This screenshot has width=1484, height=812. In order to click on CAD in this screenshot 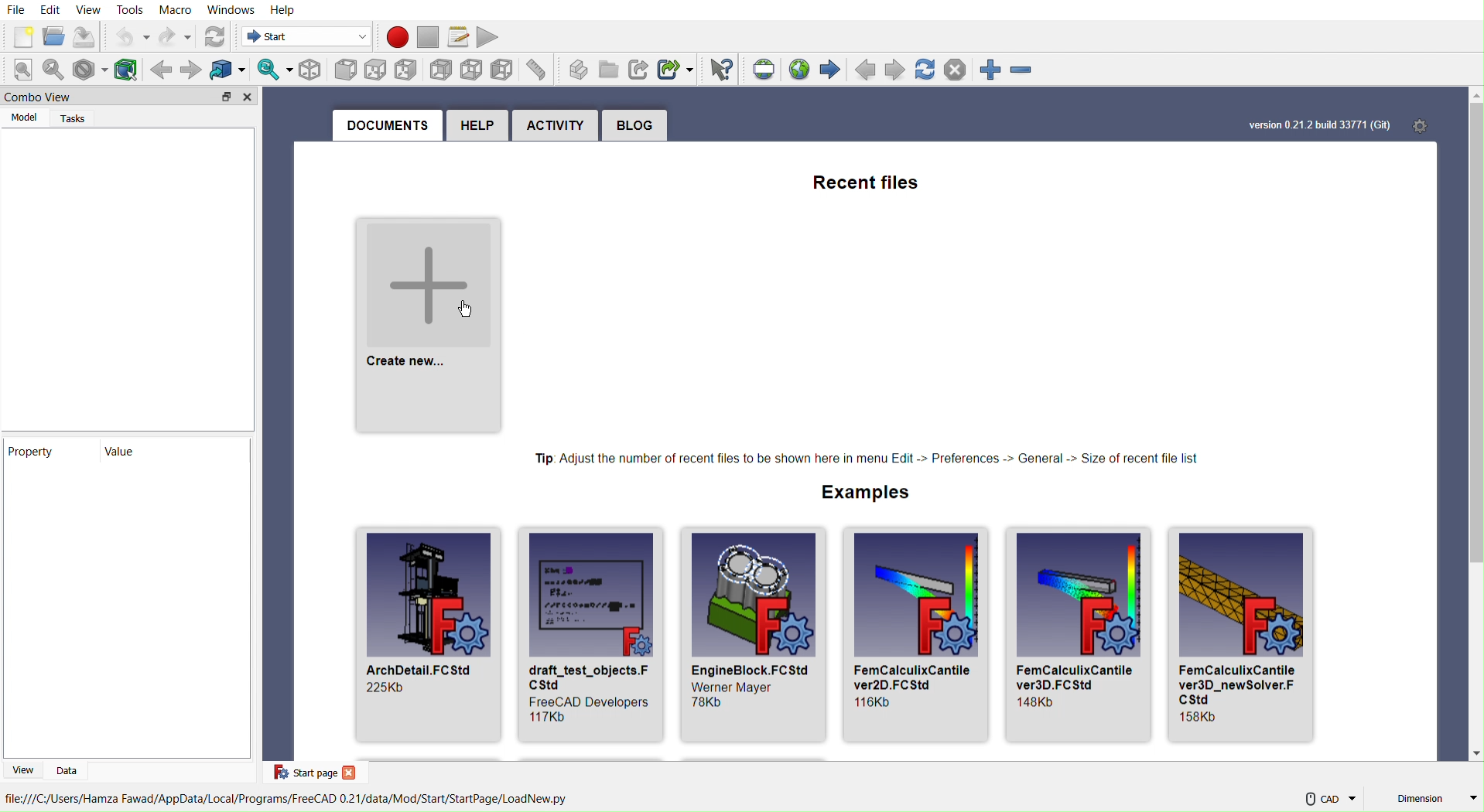, I will do `click(1328, 800)`.